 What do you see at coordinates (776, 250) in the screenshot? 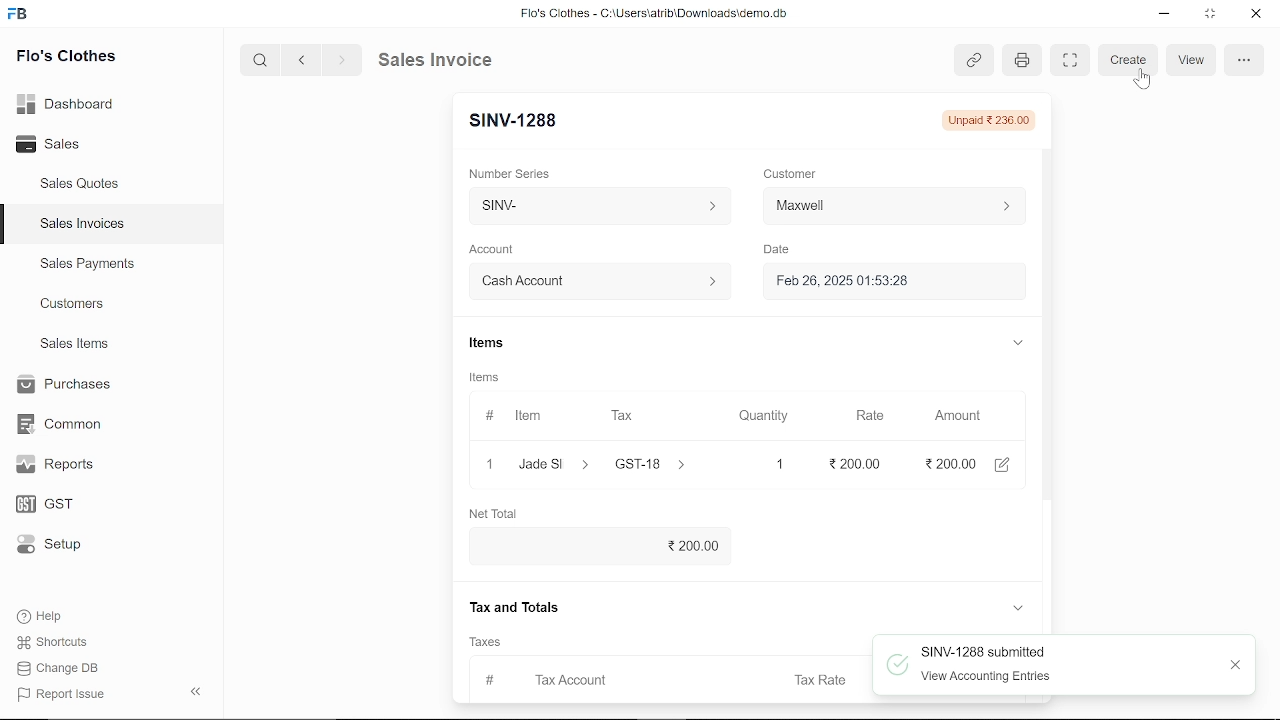
I see `Date` at bounding box center [776, 250].